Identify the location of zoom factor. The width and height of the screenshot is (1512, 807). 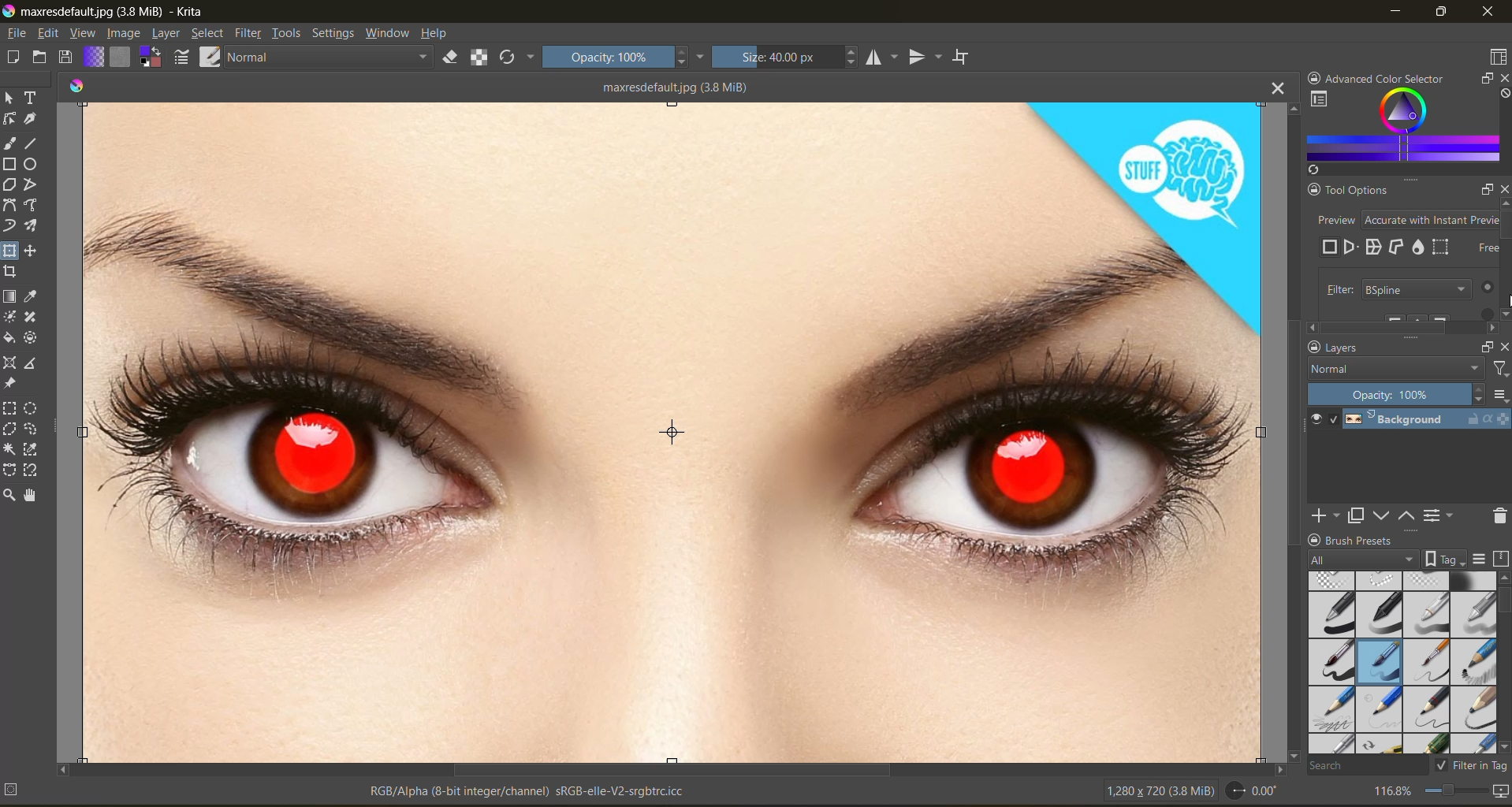
(1395, 793).